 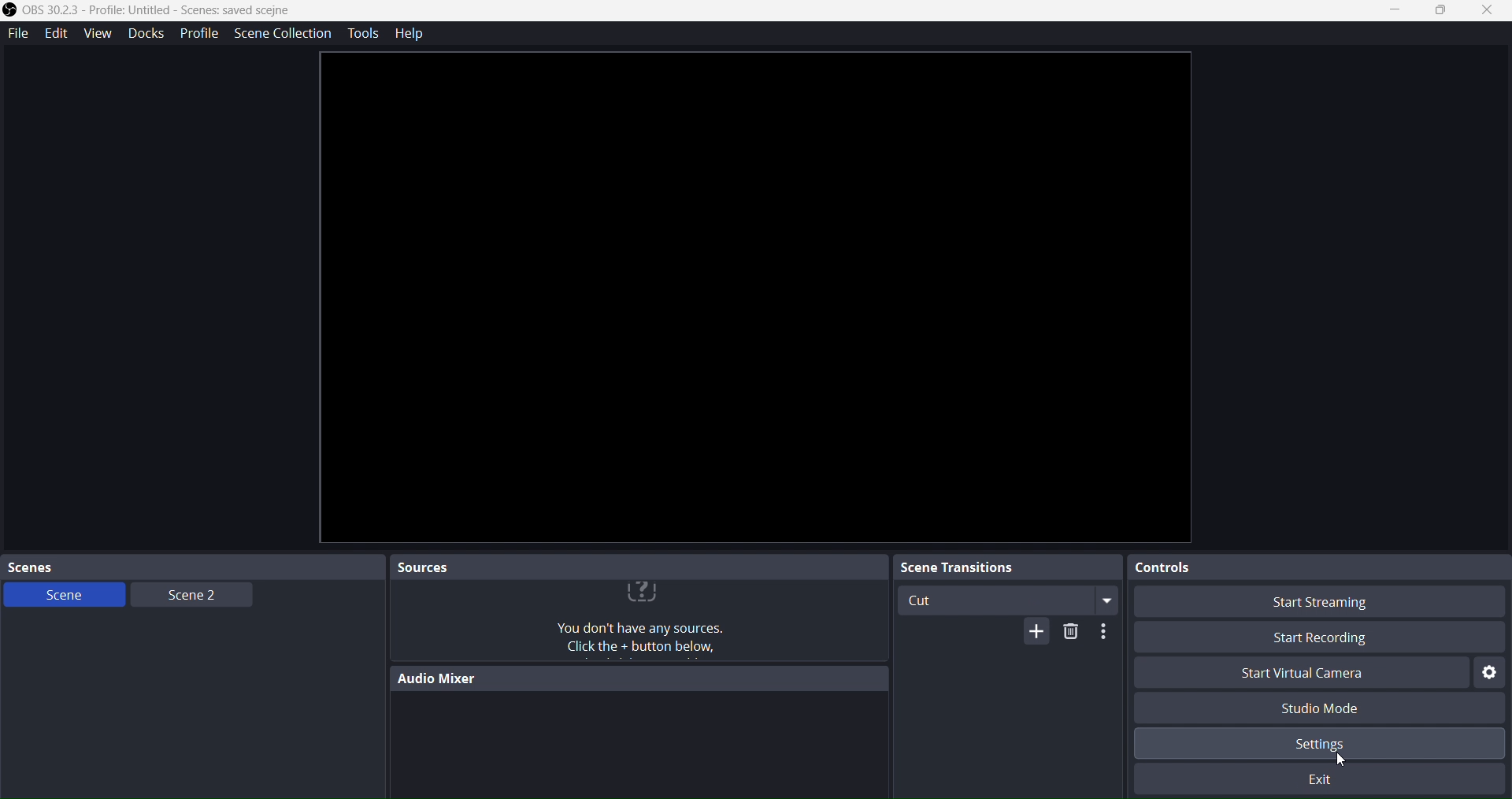 I want to click on File, so click(x=19, y=31).